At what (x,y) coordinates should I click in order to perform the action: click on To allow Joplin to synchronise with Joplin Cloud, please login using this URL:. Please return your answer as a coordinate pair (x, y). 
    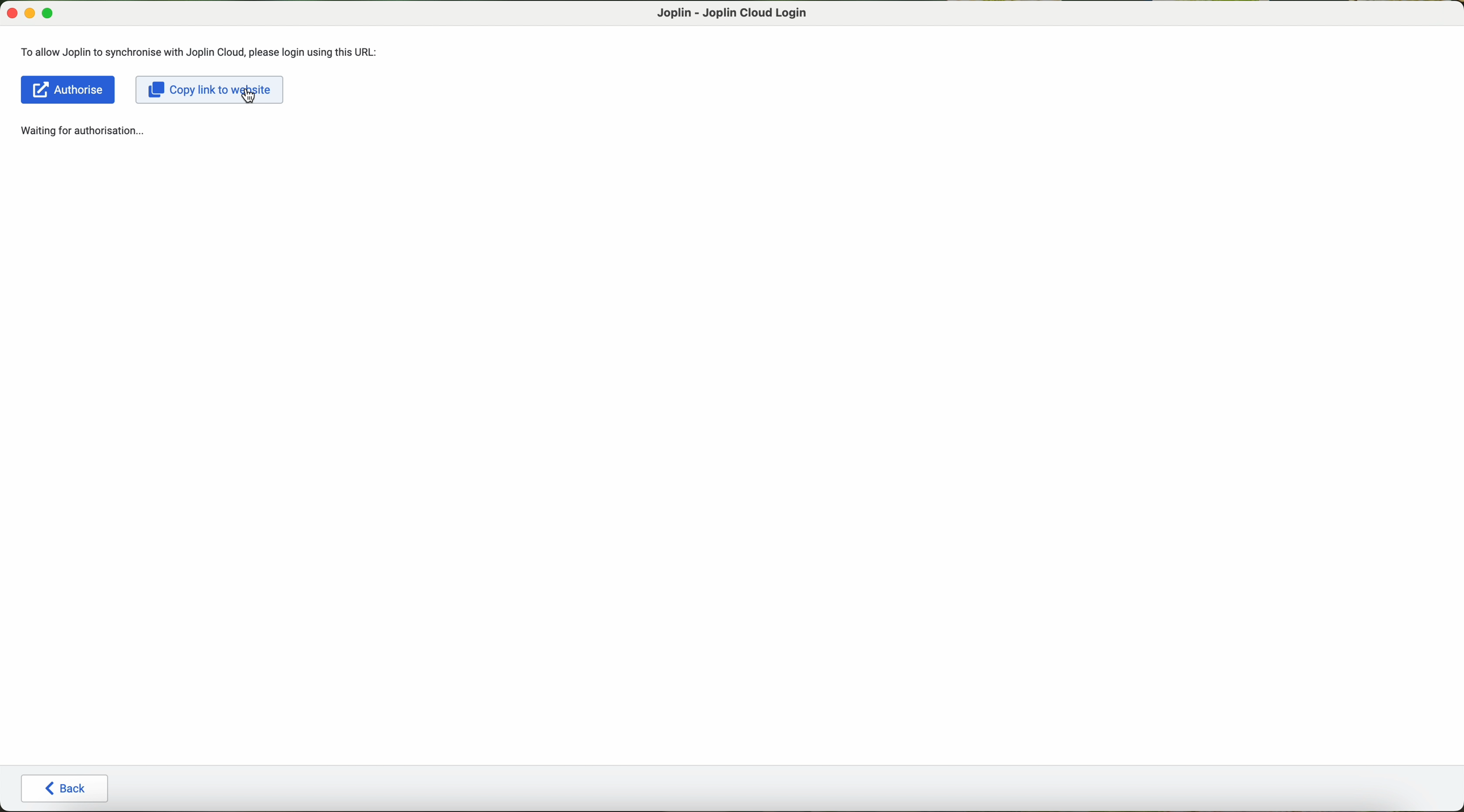
    Looking at the image, I should click on (205, 53).